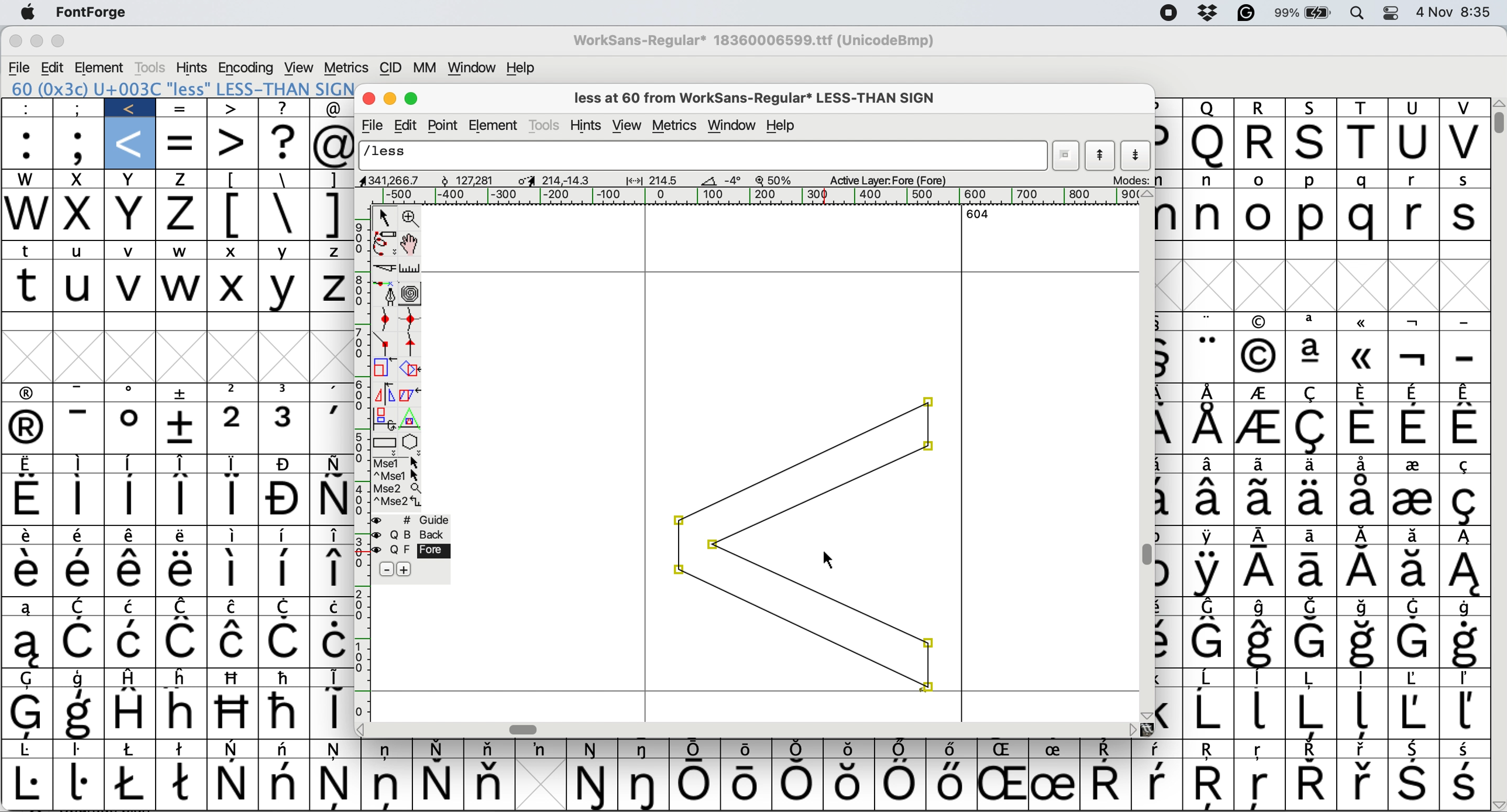 Image resolution: width=1507 pixels, height=812 pixels. I want to click on Symbol, so click(1465, 392).